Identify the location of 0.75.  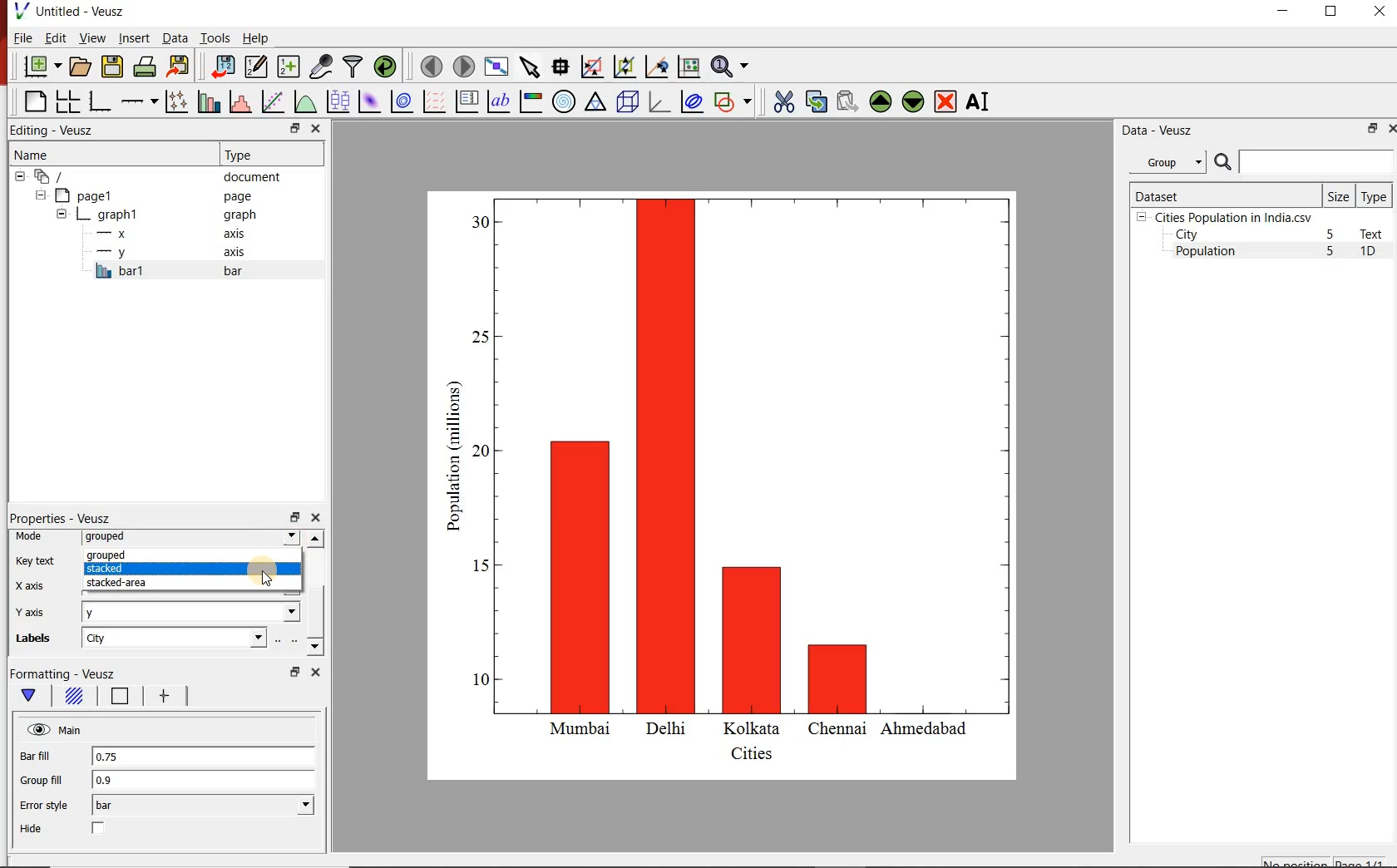
(202, 757).